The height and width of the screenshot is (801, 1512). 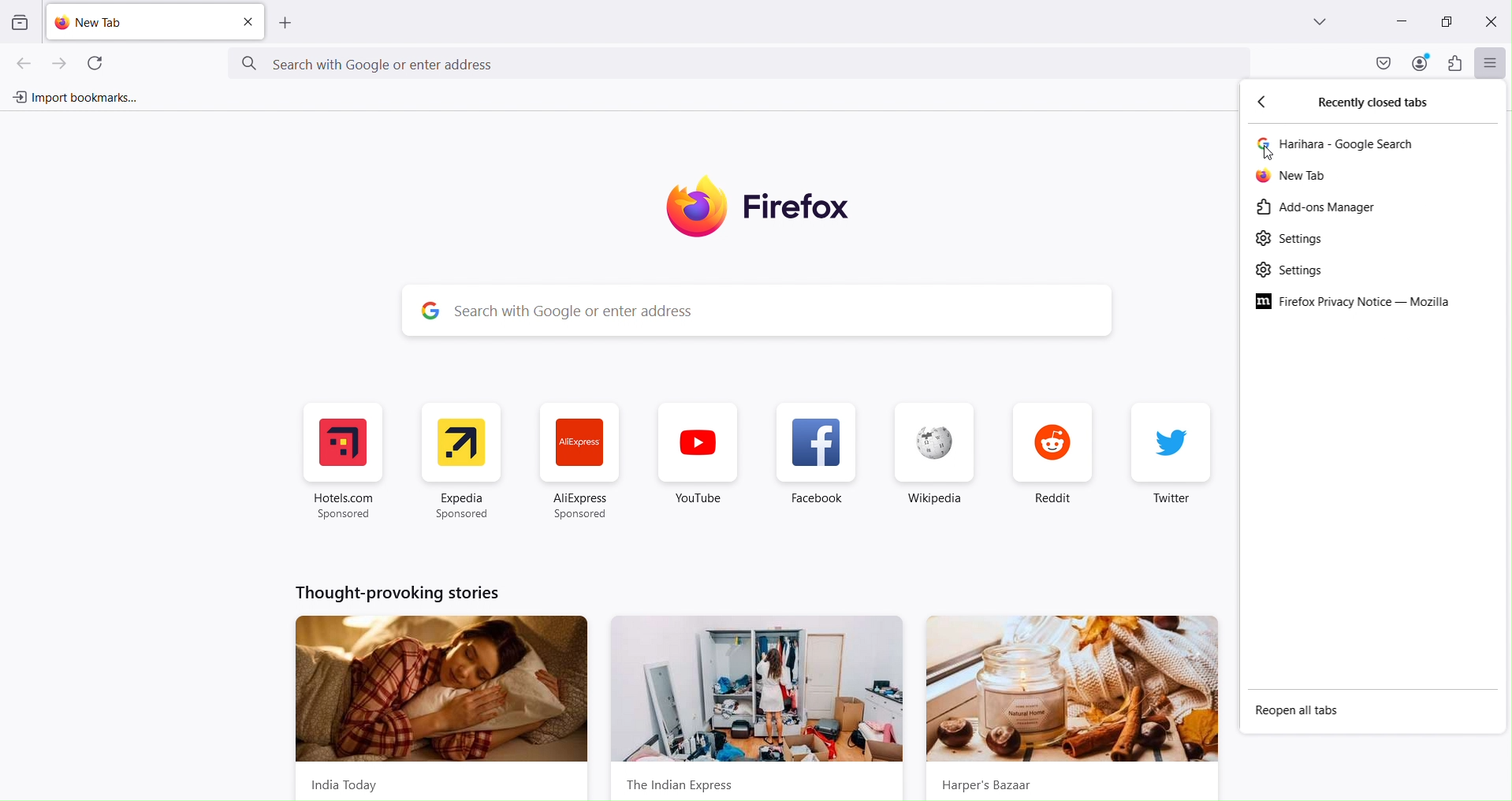 What do you see at coordinates (346, 462) in the screenshot?
I see `Hotel.com Shortcut` at bounding box center [346, 462].